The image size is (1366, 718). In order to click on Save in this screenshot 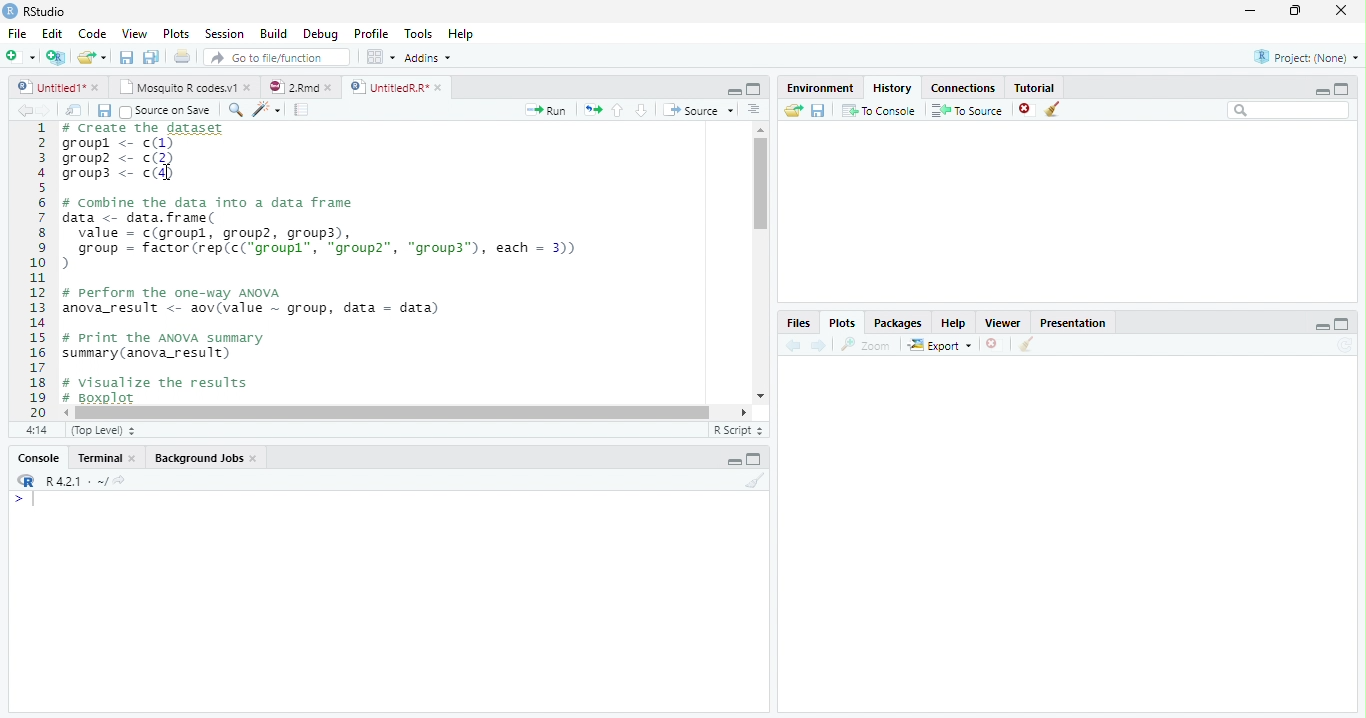, I will do `click(128, 58)`.